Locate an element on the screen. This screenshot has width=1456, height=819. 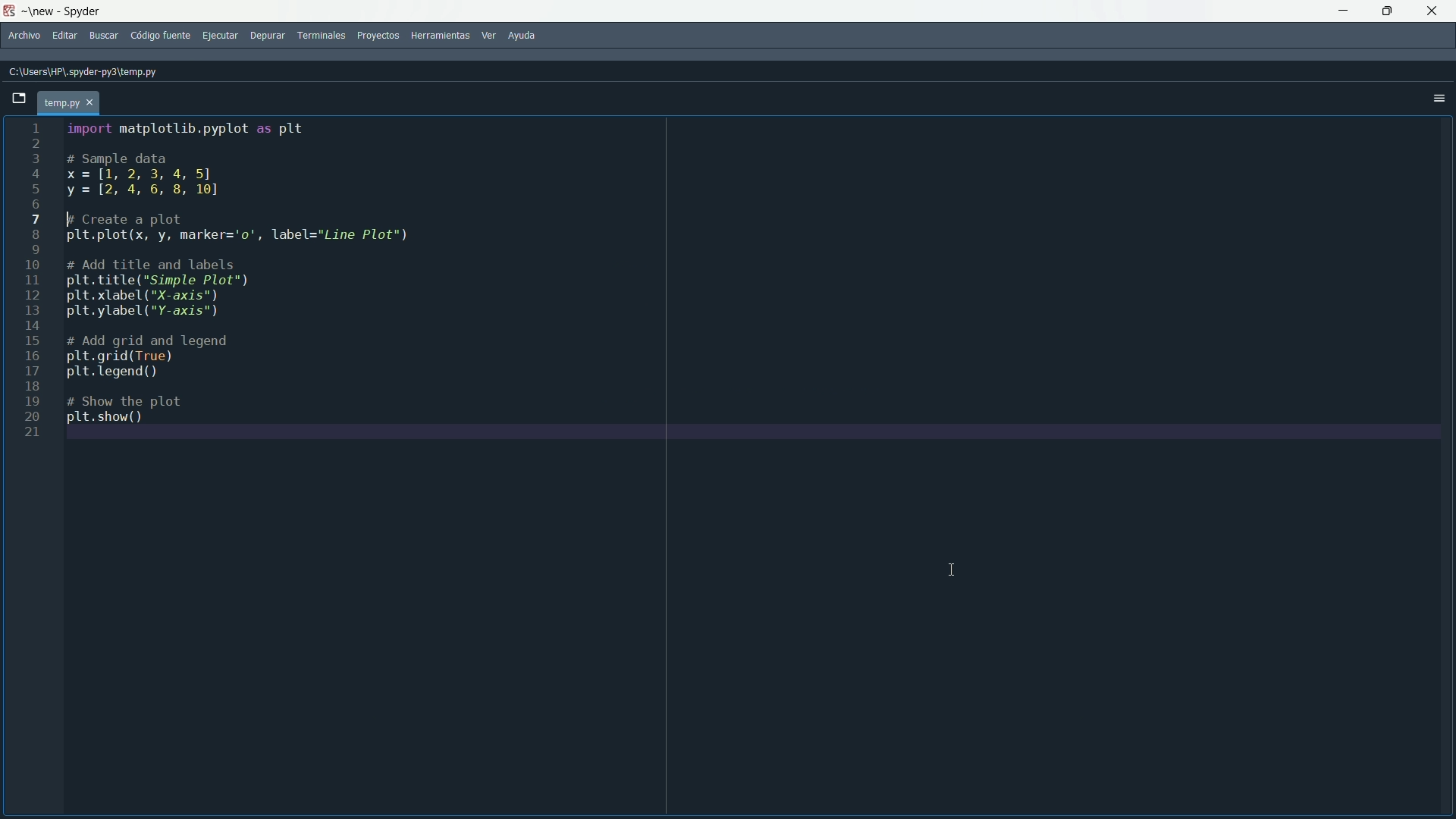
line numbers is located at coordinates (34, 281).